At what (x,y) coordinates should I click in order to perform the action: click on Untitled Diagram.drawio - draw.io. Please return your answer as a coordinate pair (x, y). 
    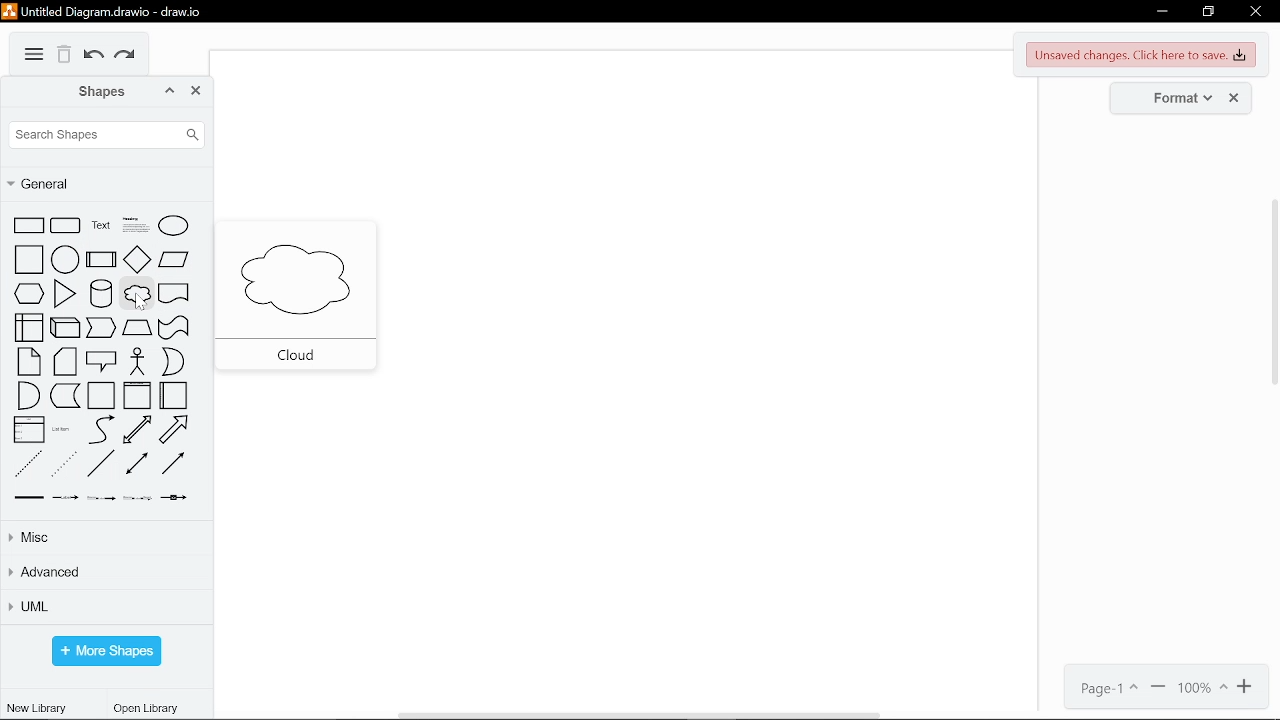
    Looking at the image, I should click on (112, 12).